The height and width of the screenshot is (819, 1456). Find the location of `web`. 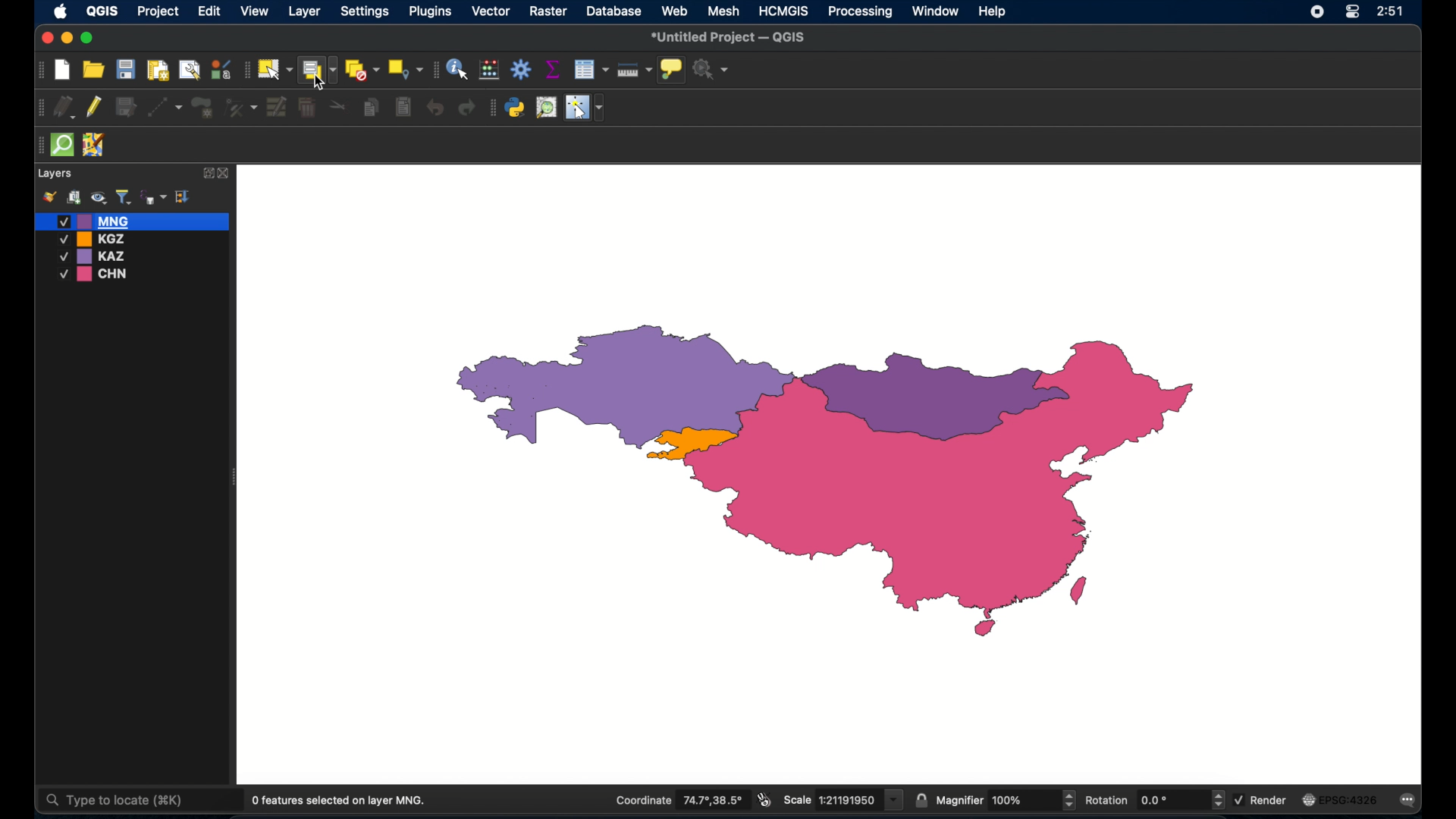

web is located at coordinates (675, 11).